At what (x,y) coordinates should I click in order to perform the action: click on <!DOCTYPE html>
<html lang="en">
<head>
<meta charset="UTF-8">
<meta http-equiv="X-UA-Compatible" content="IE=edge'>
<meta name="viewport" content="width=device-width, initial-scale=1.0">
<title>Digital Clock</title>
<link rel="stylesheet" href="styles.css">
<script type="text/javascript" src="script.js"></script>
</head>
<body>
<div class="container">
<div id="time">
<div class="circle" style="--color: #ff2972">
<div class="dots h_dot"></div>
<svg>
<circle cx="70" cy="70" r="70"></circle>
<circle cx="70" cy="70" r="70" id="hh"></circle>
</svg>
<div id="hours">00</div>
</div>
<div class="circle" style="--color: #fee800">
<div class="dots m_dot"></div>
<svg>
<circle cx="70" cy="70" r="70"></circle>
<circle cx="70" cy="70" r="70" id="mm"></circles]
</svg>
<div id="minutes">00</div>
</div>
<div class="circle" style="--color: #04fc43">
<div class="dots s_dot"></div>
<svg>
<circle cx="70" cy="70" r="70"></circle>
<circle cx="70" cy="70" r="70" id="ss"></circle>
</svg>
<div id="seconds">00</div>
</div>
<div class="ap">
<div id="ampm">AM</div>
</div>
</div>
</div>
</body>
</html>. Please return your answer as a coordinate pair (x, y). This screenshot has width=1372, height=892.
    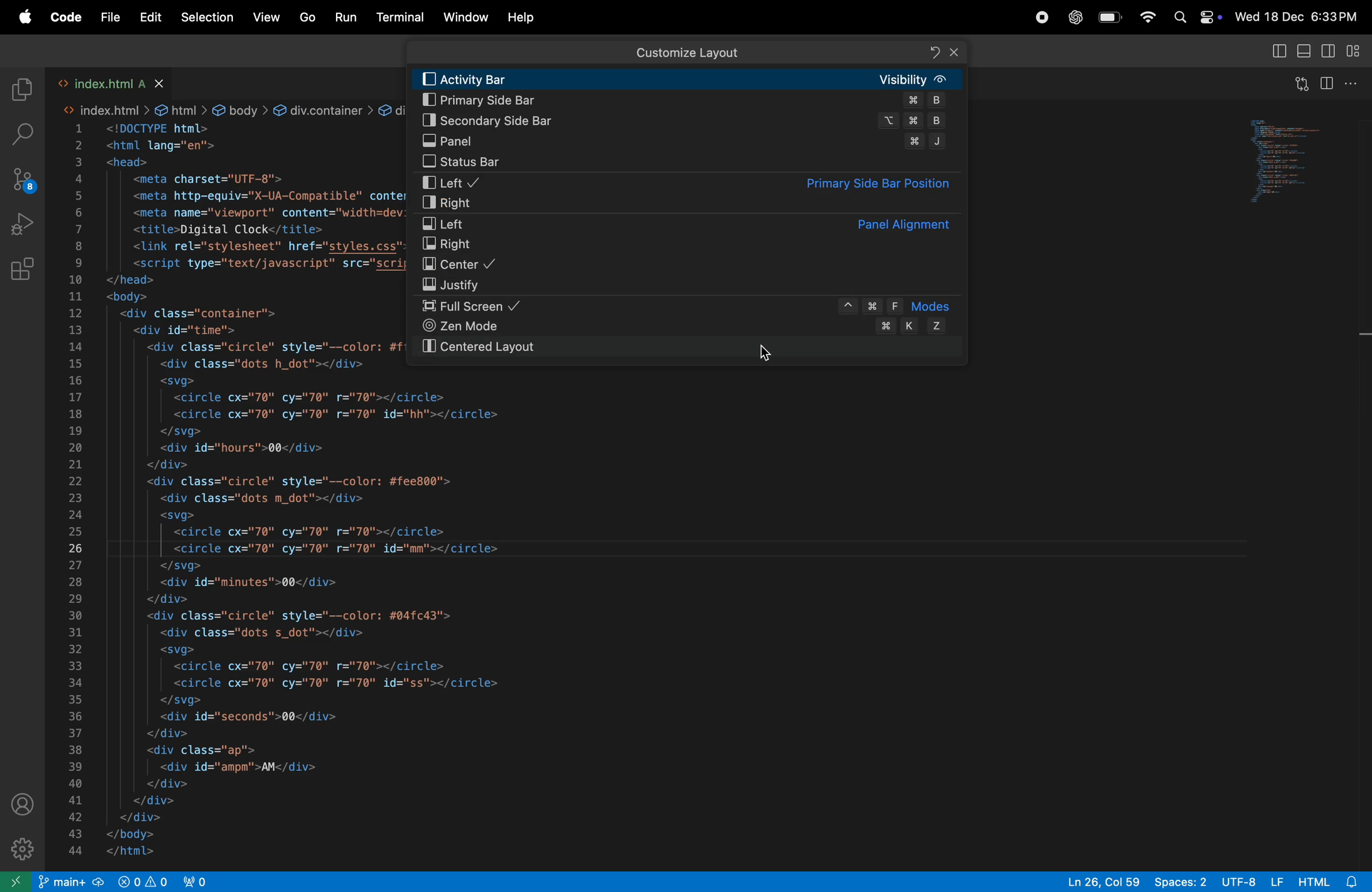
    Looking at the image, I should click on (254, 494).